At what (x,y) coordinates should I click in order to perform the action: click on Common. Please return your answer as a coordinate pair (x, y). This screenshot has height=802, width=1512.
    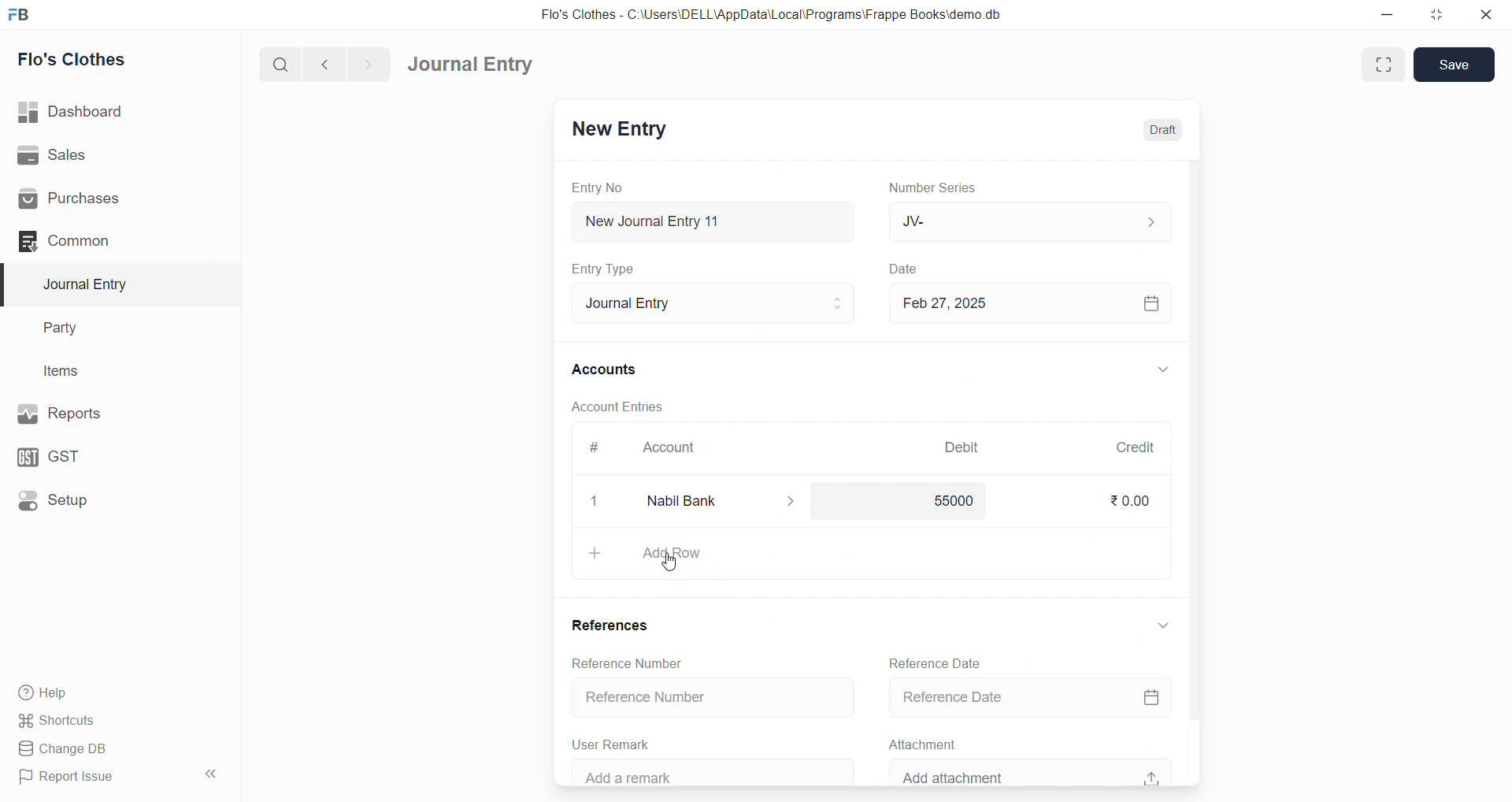
    Looking at the image, I should click on (94, 242).